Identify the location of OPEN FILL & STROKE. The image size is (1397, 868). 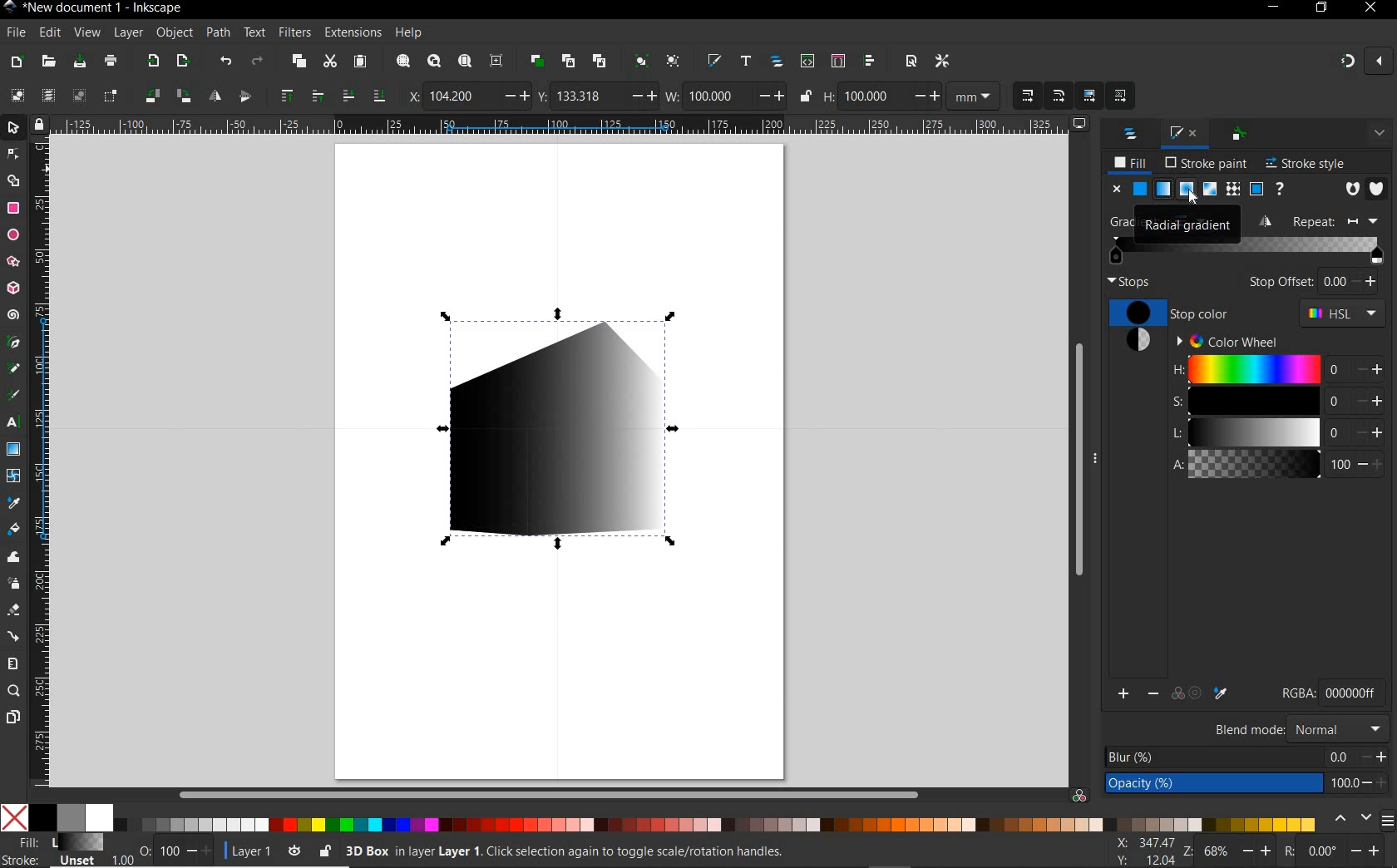
(713, 60).